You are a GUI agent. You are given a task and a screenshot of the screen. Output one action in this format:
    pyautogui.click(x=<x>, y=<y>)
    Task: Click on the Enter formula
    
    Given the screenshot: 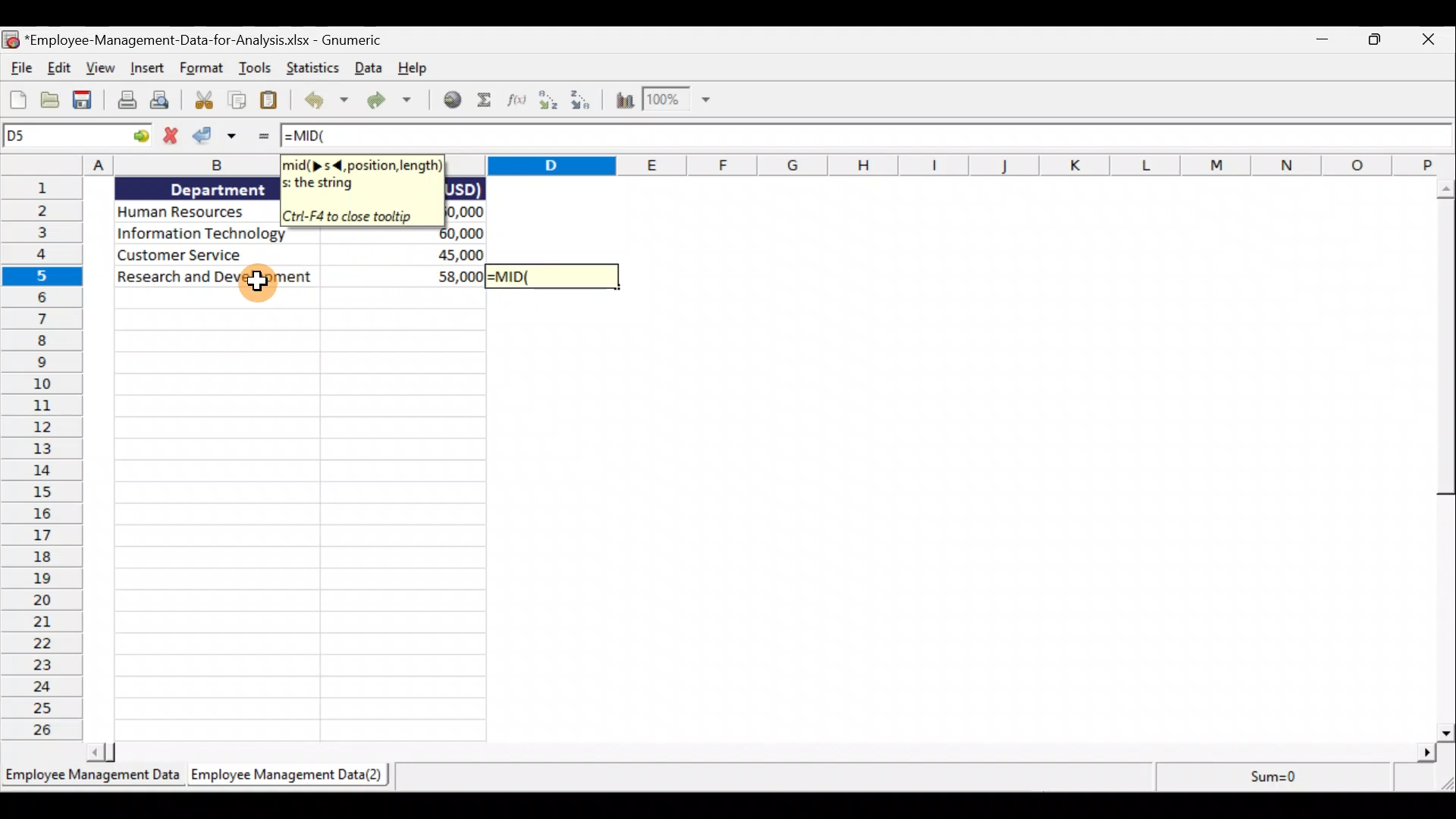 What is the action you would take?
    pyautogui.click(x=261, y=139)
    